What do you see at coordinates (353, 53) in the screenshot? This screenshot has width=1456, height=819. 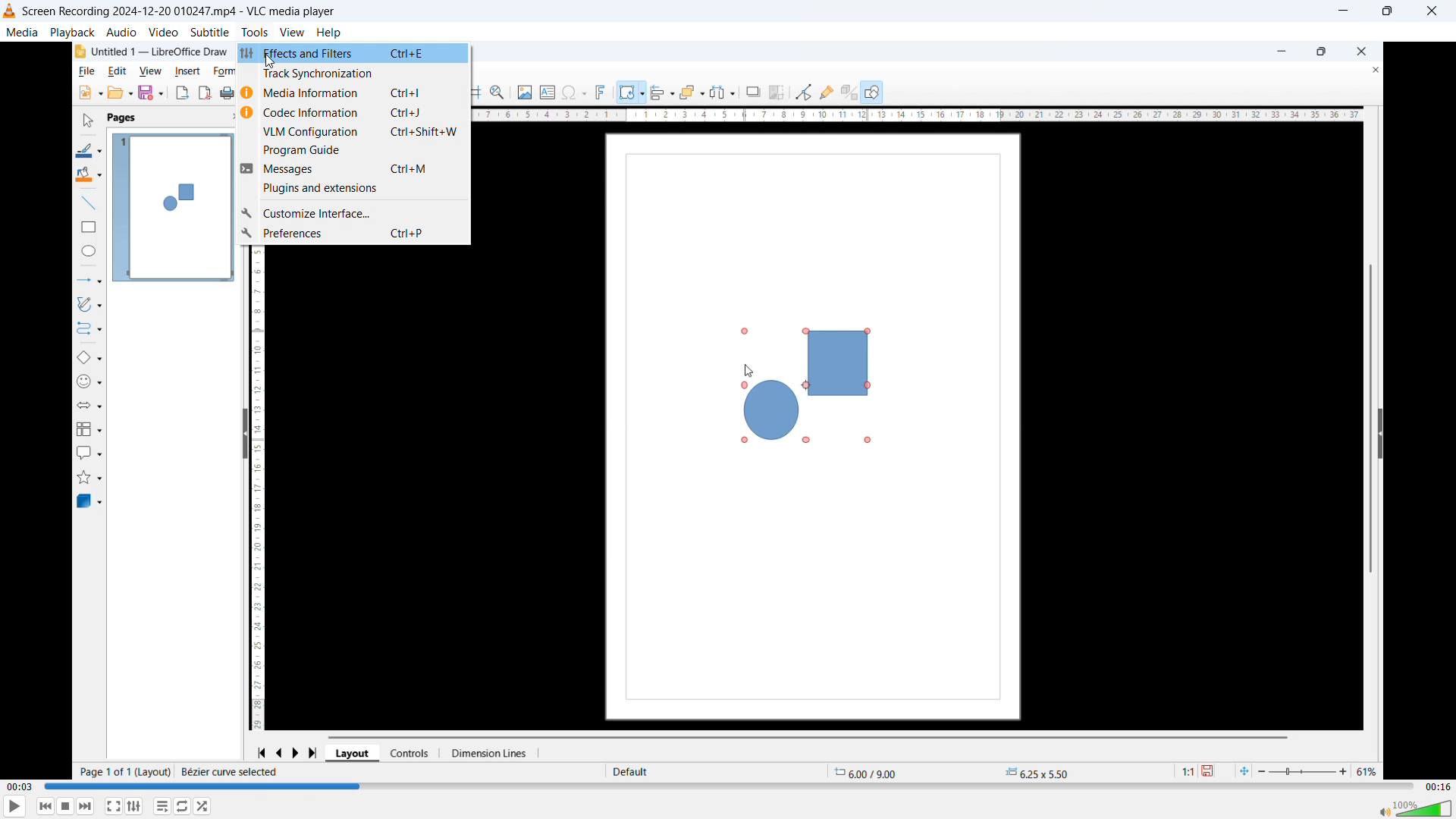 I see `Effects and filters ` at bounding box center [353, 53].